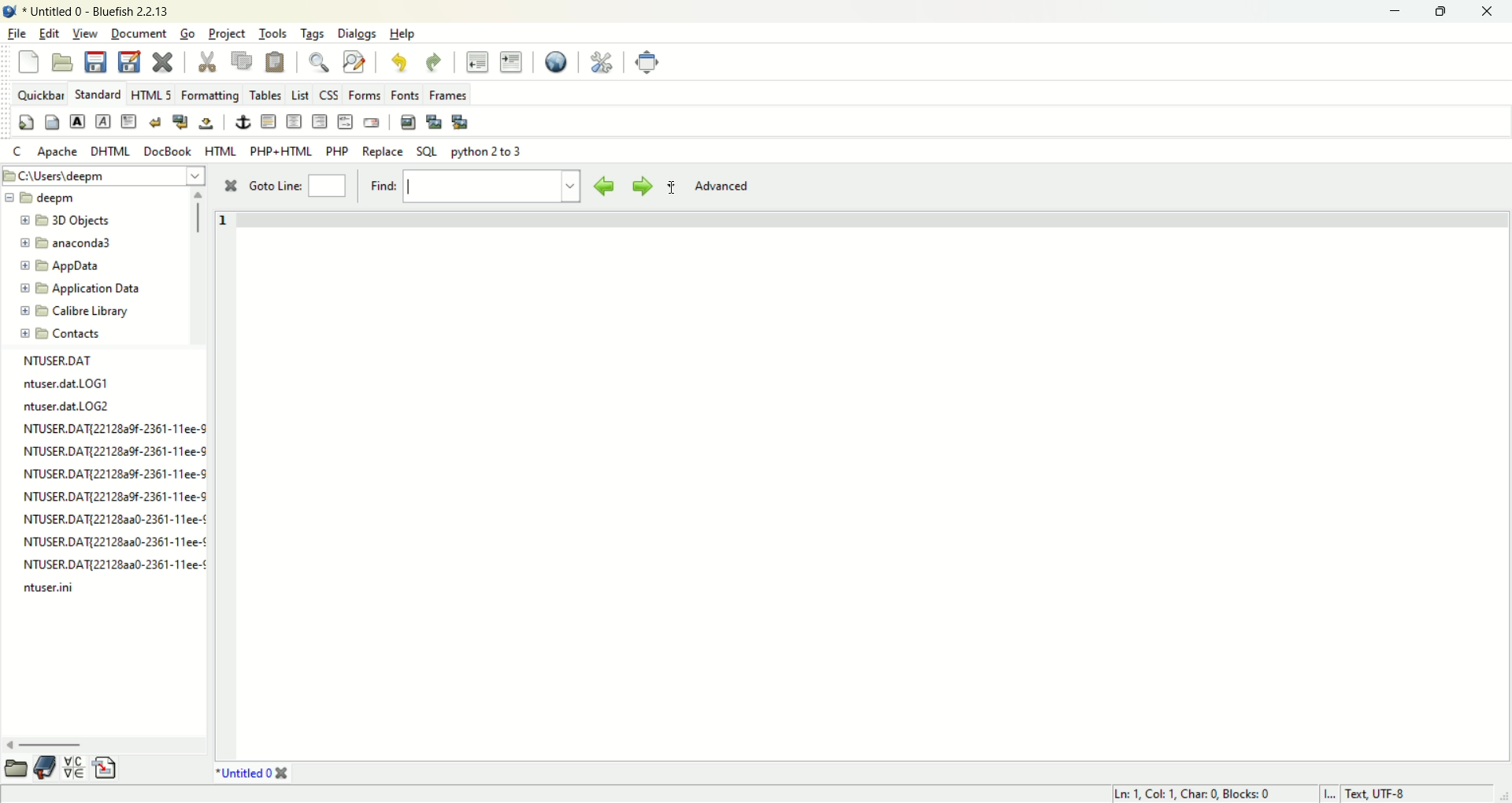 The image size is (1512, 803). I want to click on help, so click(403, 34).